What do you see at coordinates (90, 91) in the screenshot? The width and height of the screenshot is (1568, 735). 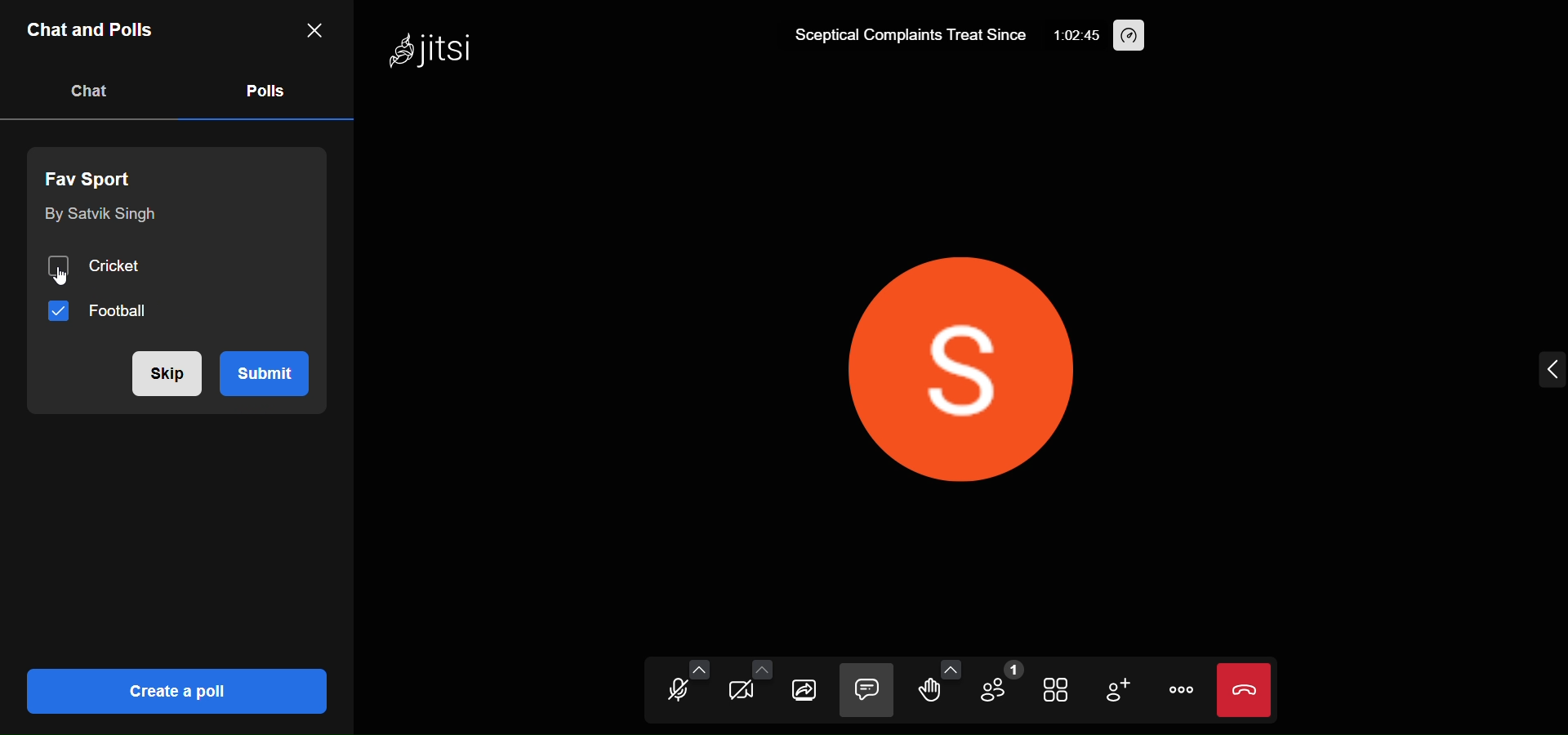 I see `chats` at bounding box center [90, 91].